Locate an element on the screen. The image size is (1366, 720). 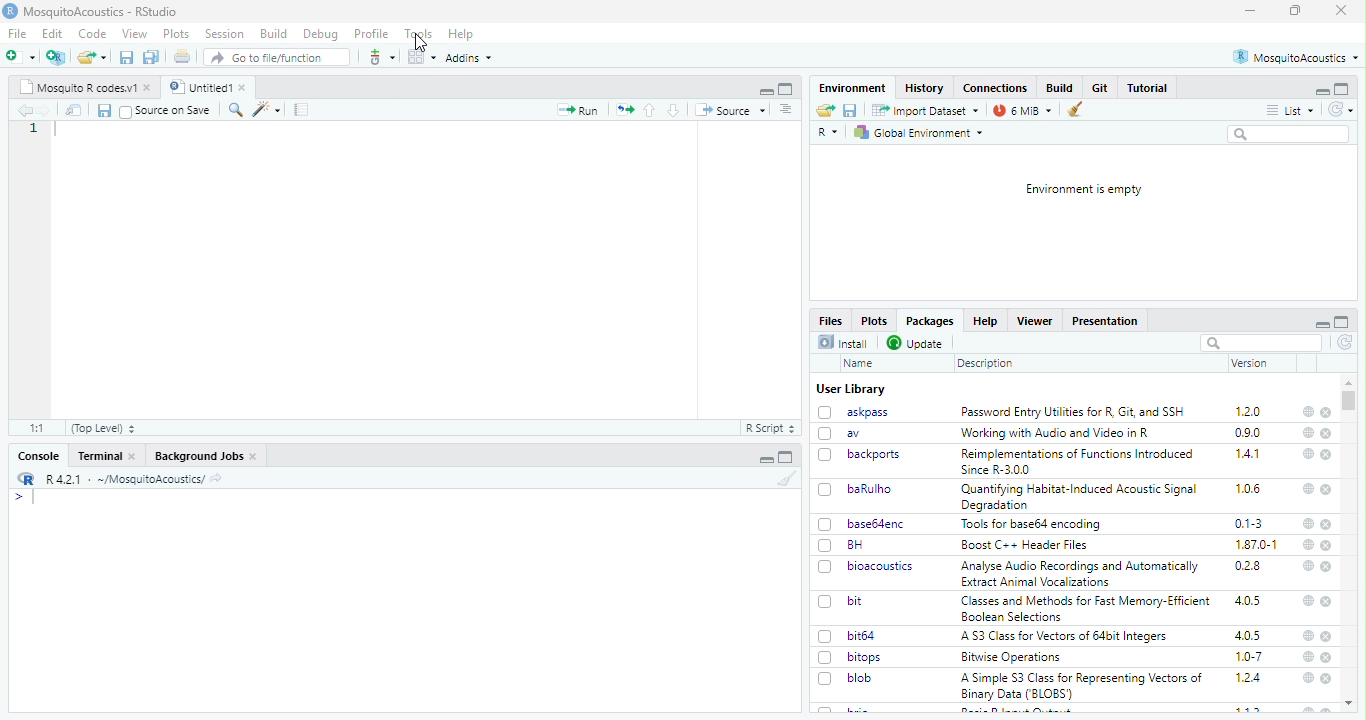
close is located at coordinates (1326, 455).